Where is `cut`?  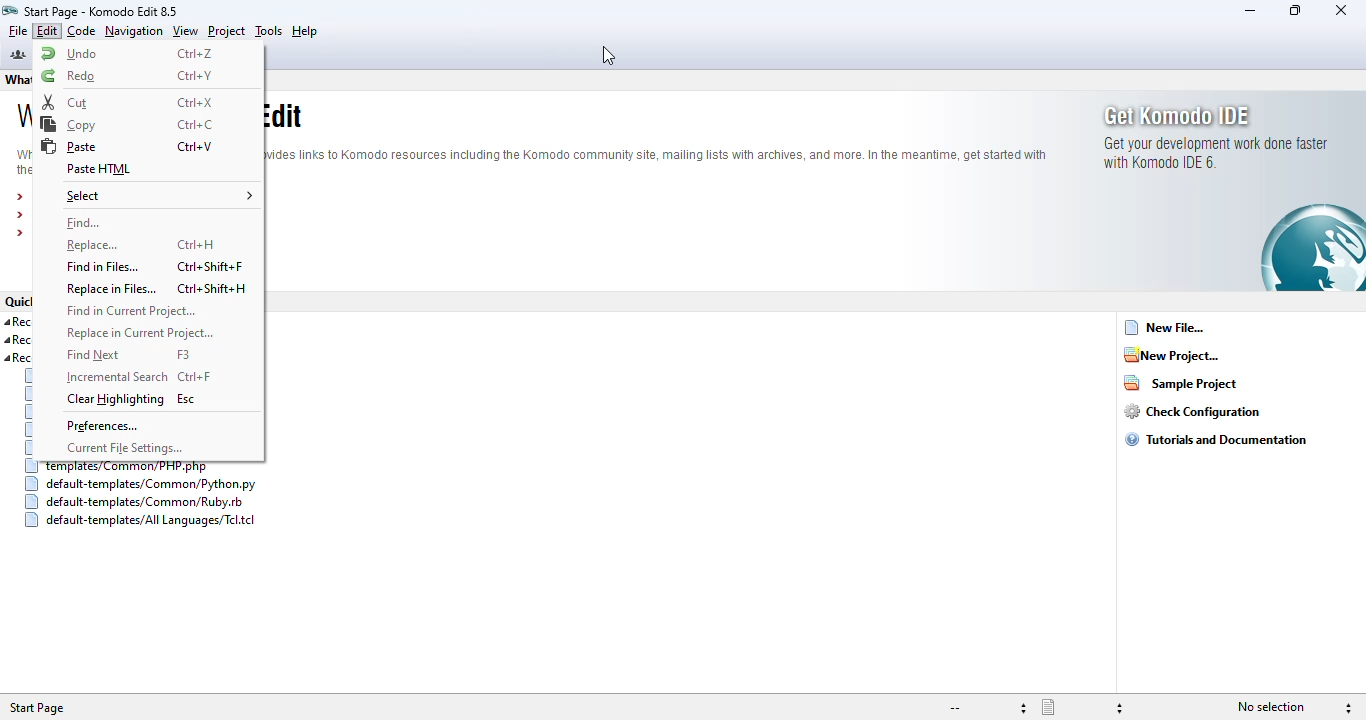
cut is located at coordinates (67, 102).